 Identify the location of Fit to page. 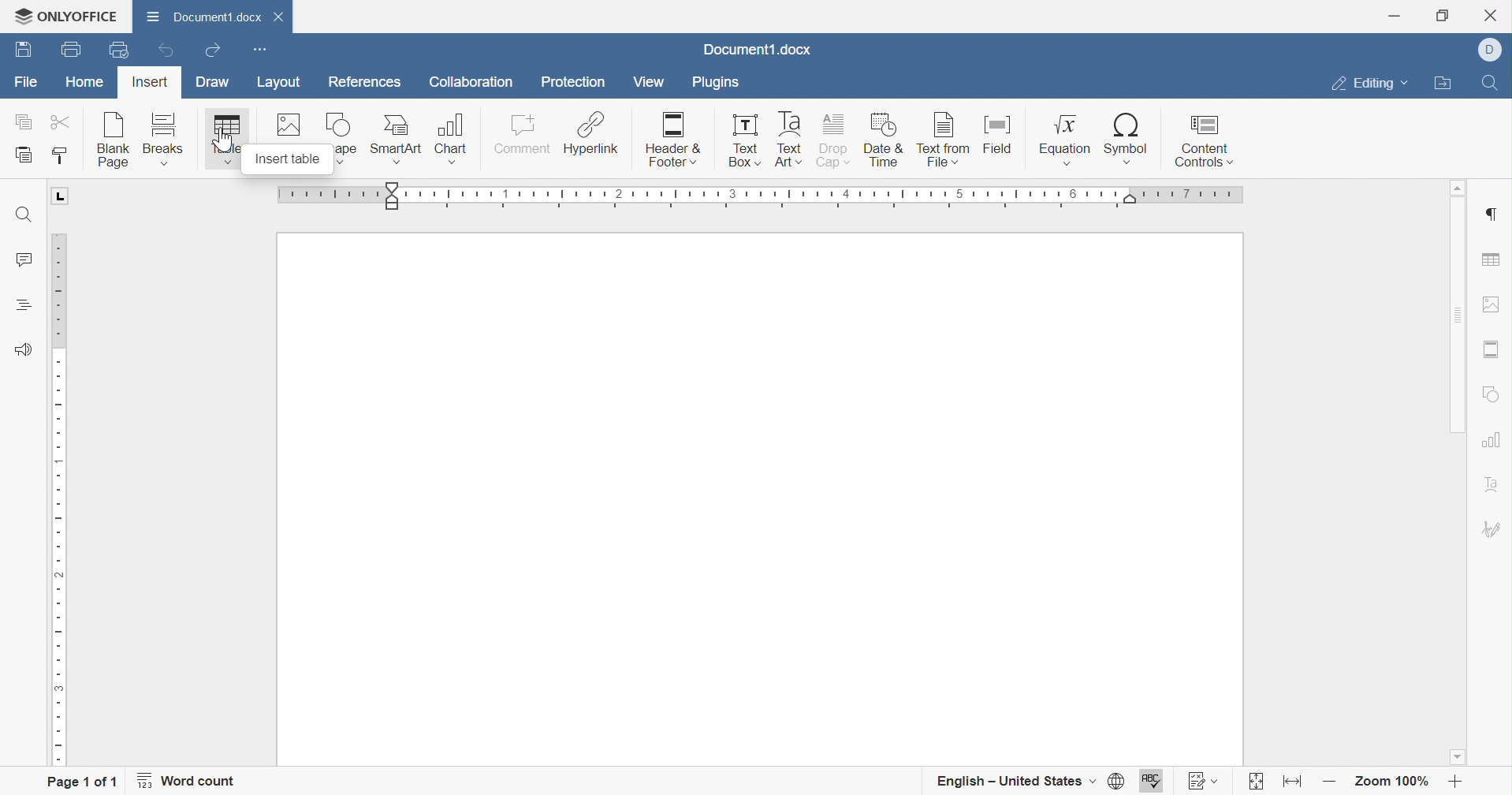
(1256, 780).